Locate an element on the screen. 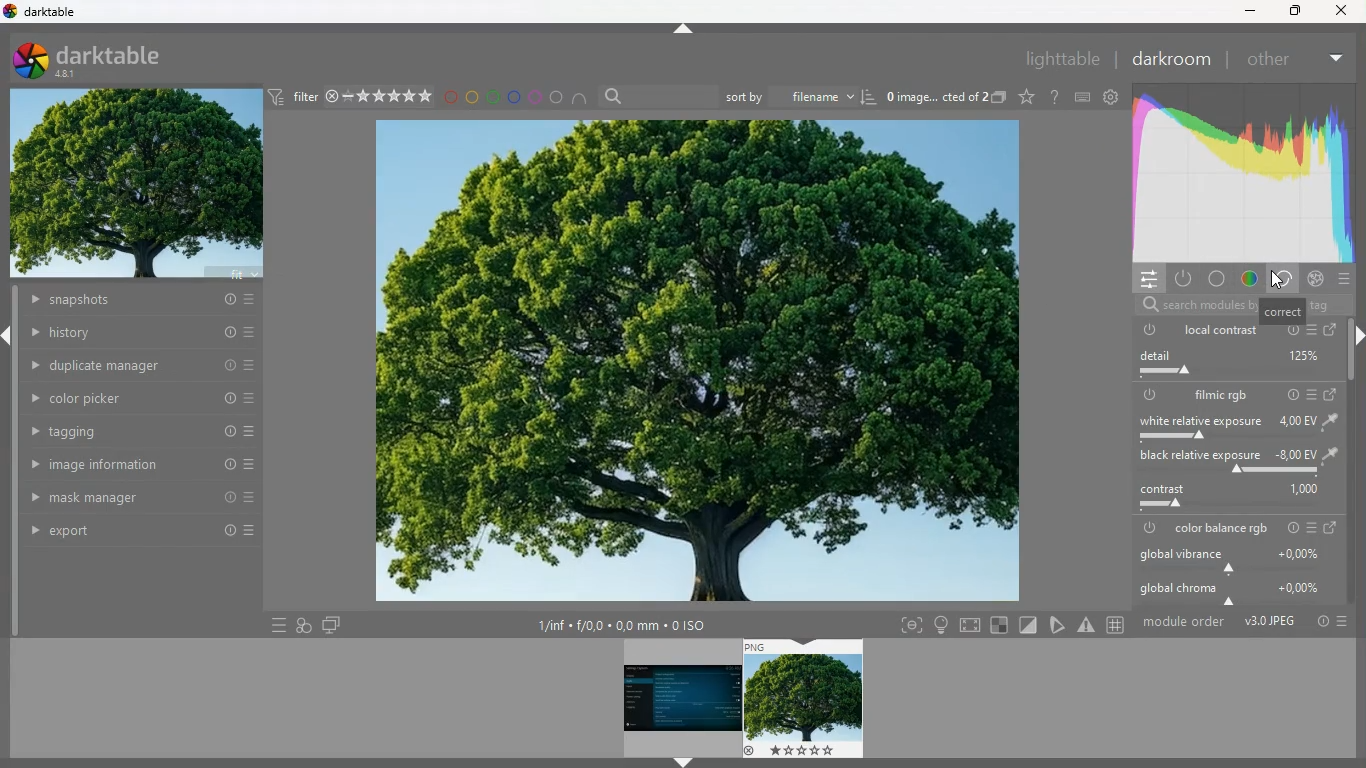 The height and width of the screenshot is (768, 1366). detail is located at coordinates (1233, 363).